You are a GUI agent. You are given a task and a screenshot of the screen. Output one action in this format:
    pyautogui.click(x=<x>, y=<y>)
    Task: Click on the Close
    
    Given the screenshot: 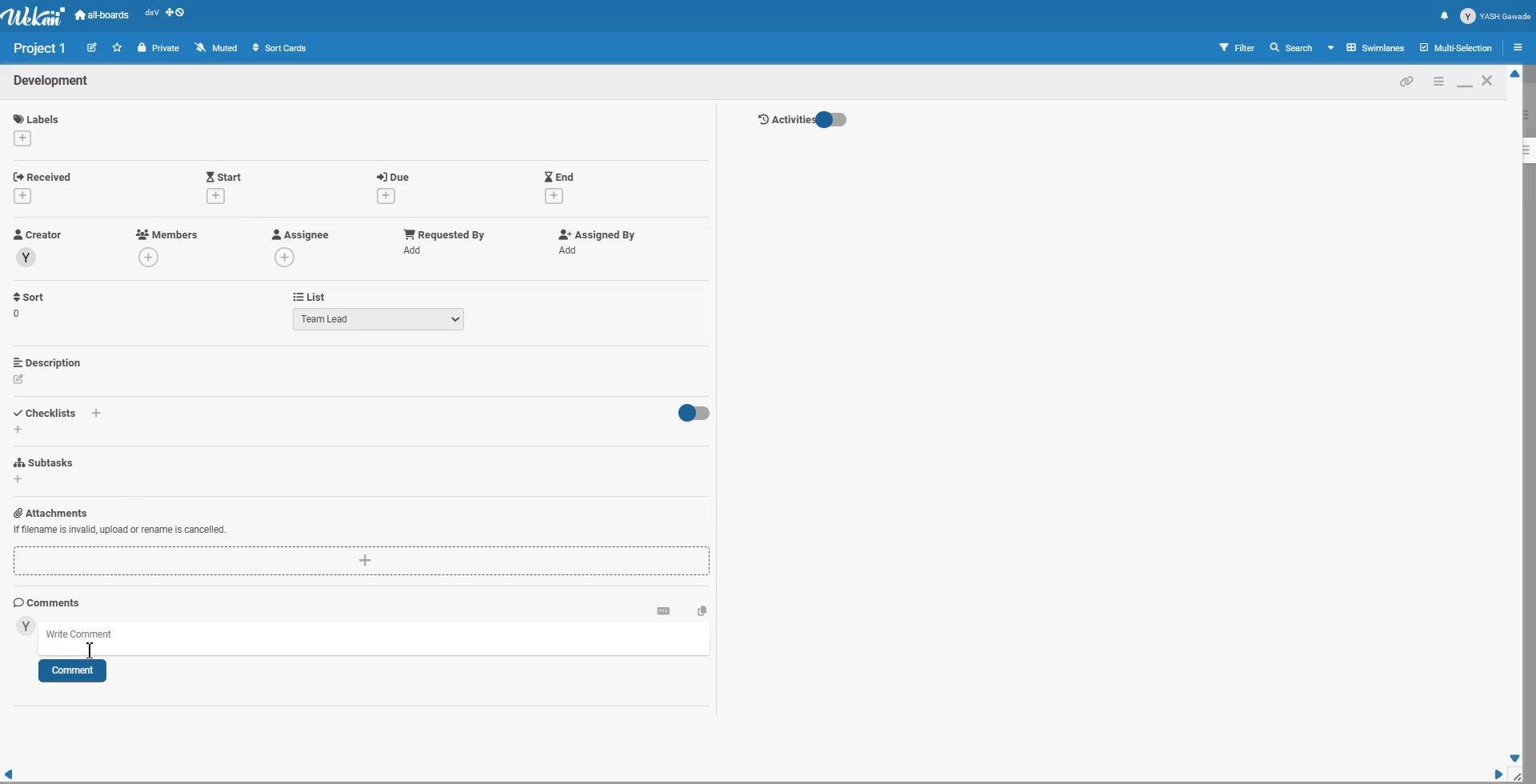 What is the action you would take?
    pyautogui.click(x=1489, y=80)
    